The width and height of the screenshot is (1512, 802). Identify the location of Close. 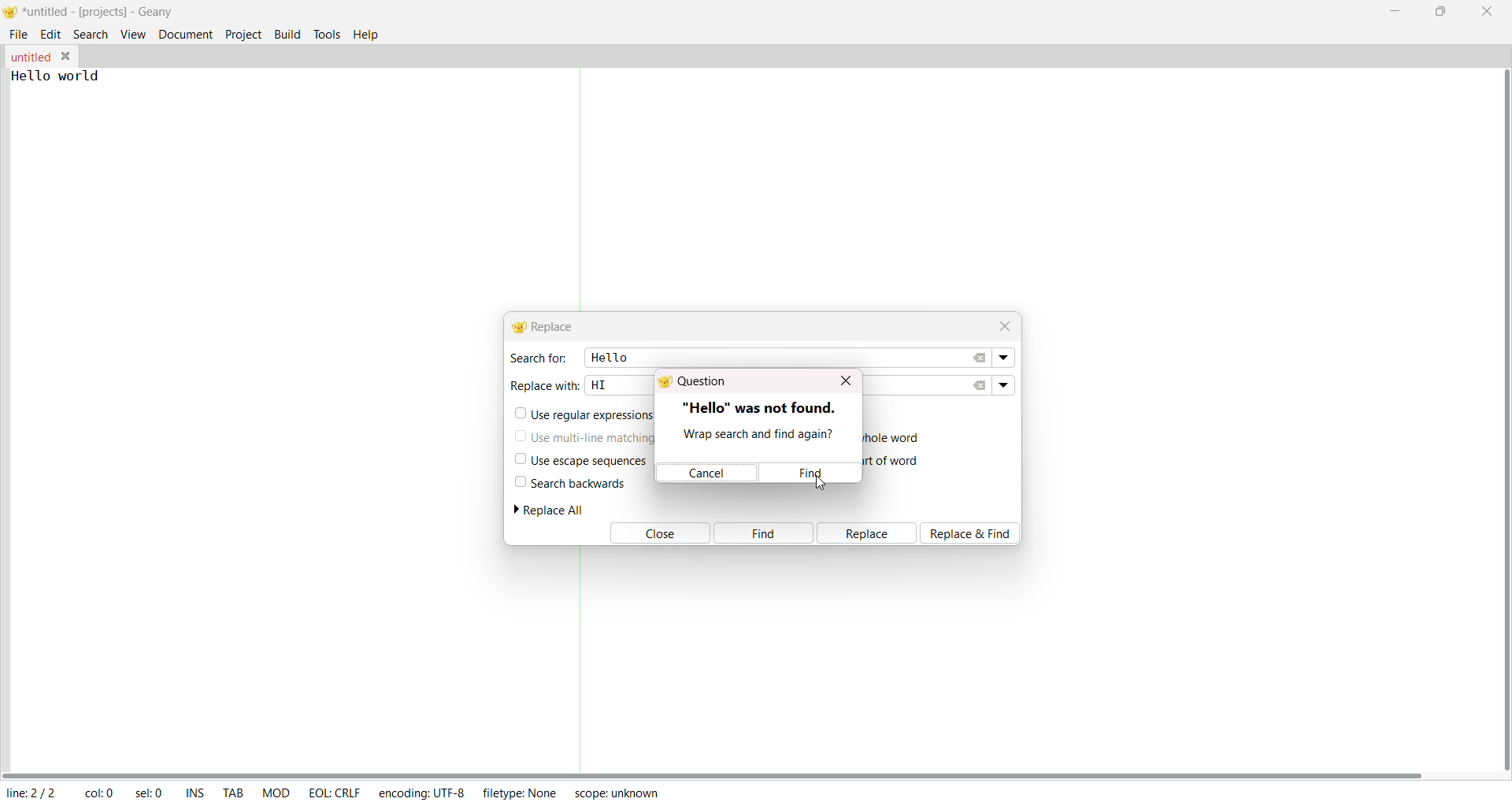
(658, 534).